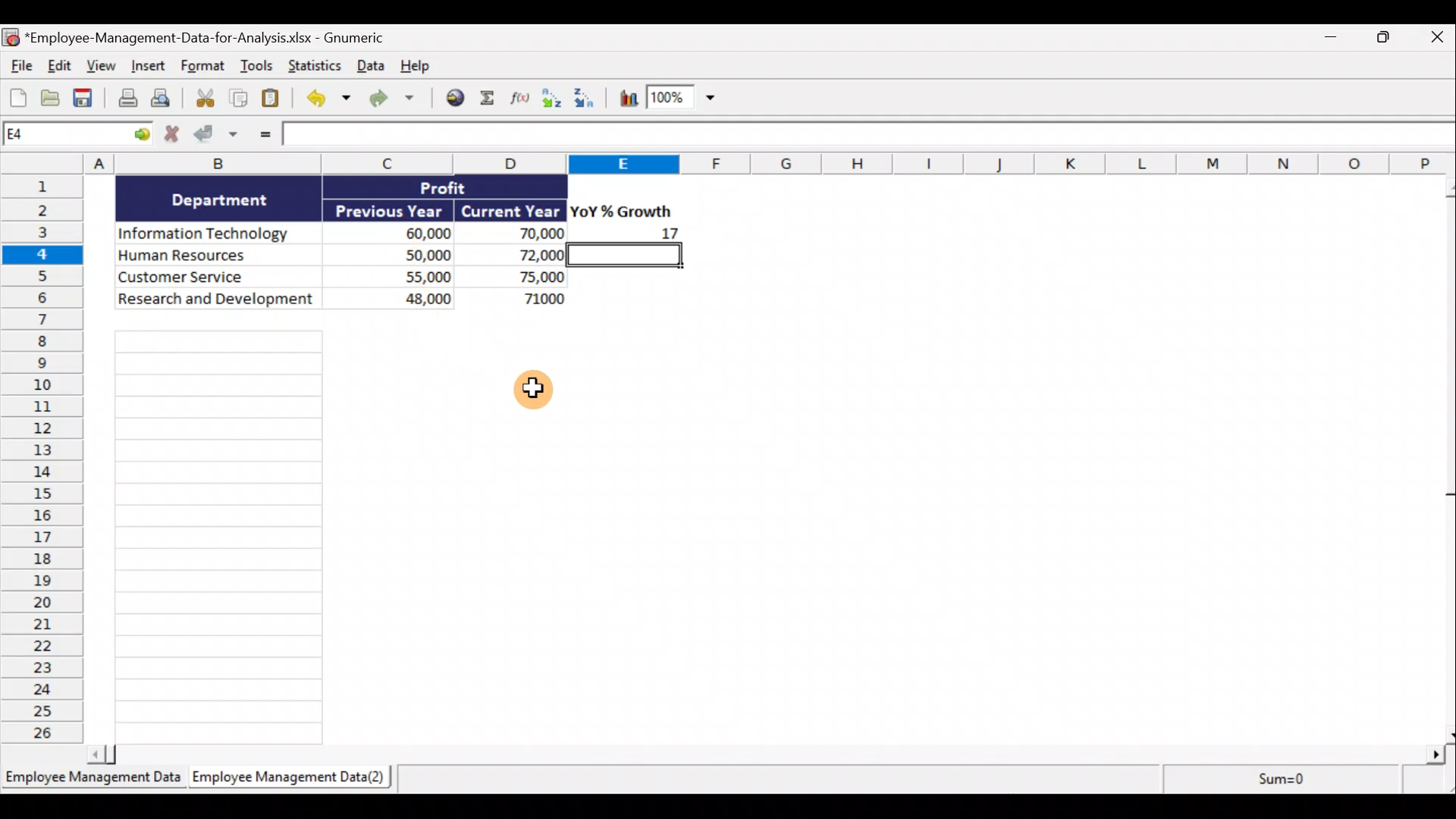 This screenshot has width=1456, height=819. Describe the element at coordinates (99, 65) in the screenshot. I see `View` at that location.